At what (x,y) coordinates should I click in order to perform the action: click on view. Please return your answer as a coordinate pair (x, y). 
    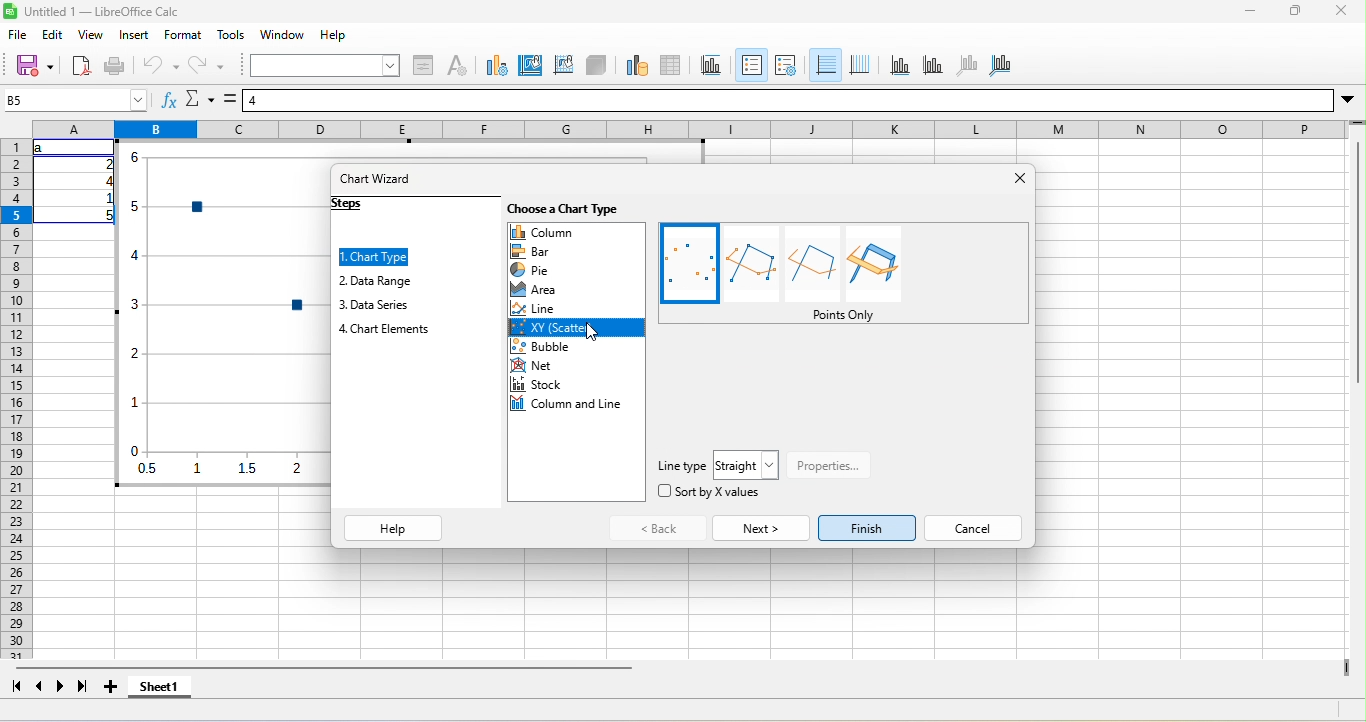
    Looking at the image, I should click on (91, 35).